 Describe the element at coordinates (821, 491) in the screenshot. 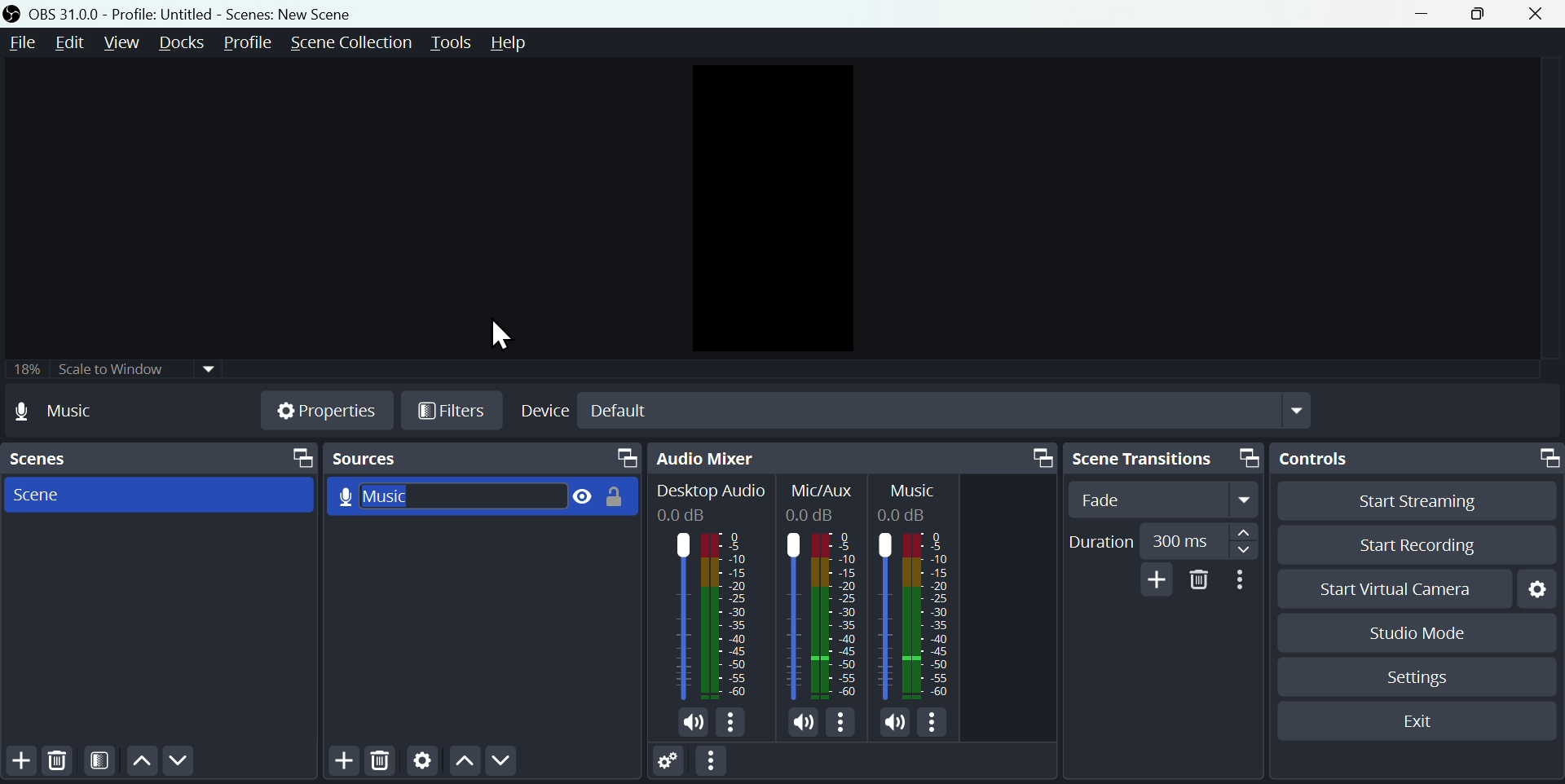

I see `` at that location.